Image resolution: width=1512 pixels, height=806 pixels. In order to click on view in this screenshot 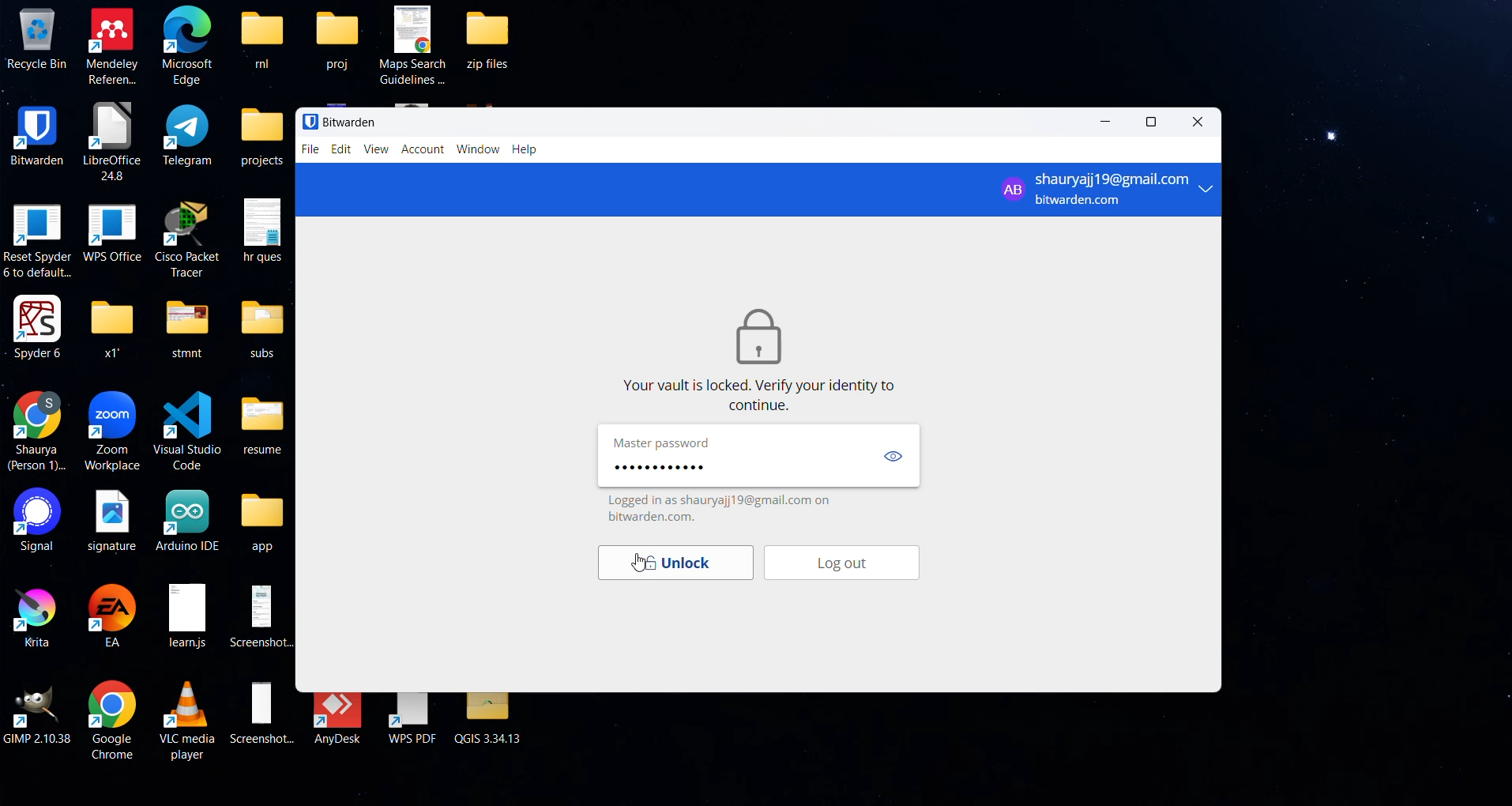, I will do `click(893, 458)`.